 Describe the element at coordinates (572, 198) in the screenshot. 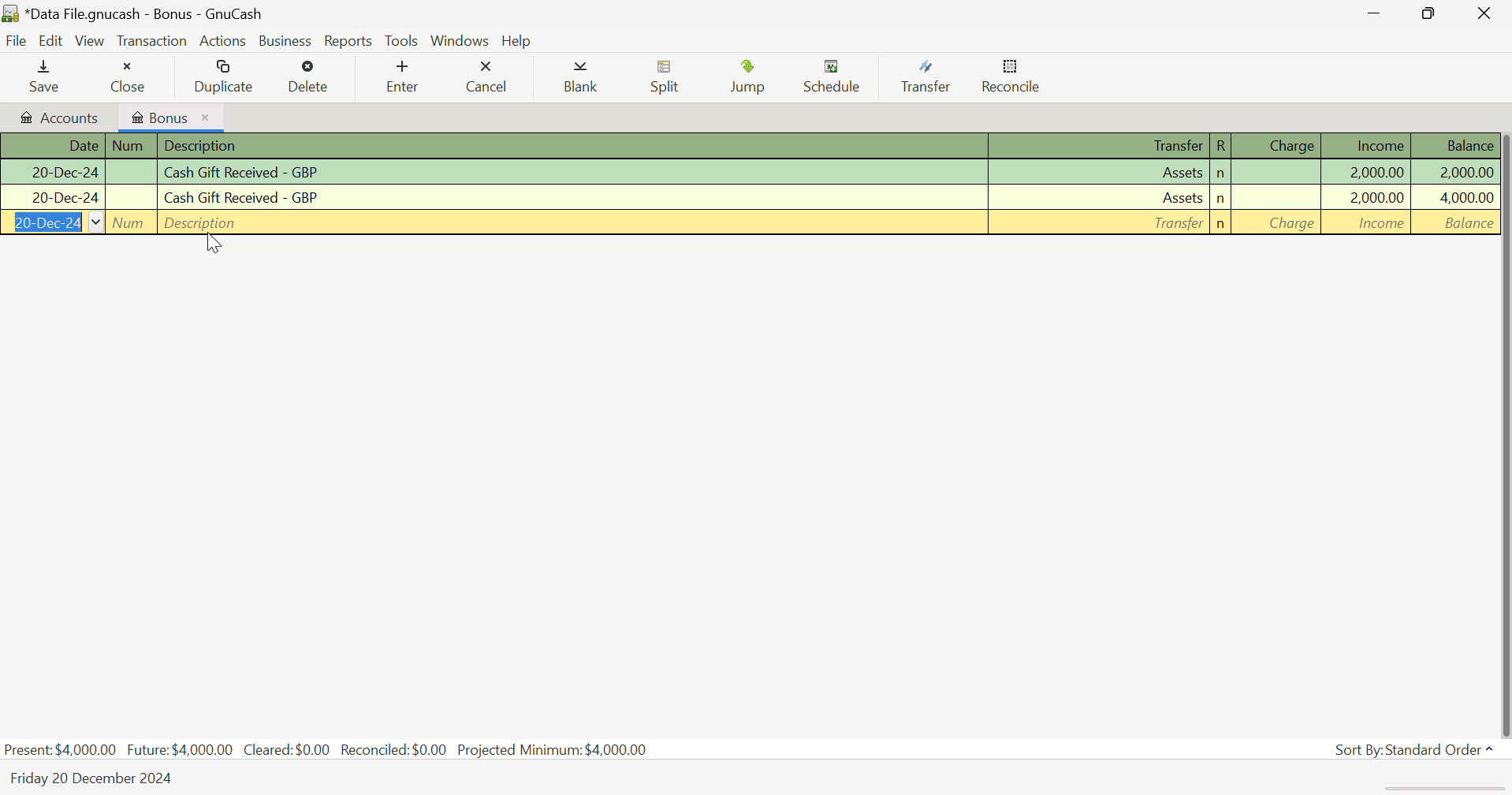

I see `Description` at that location.